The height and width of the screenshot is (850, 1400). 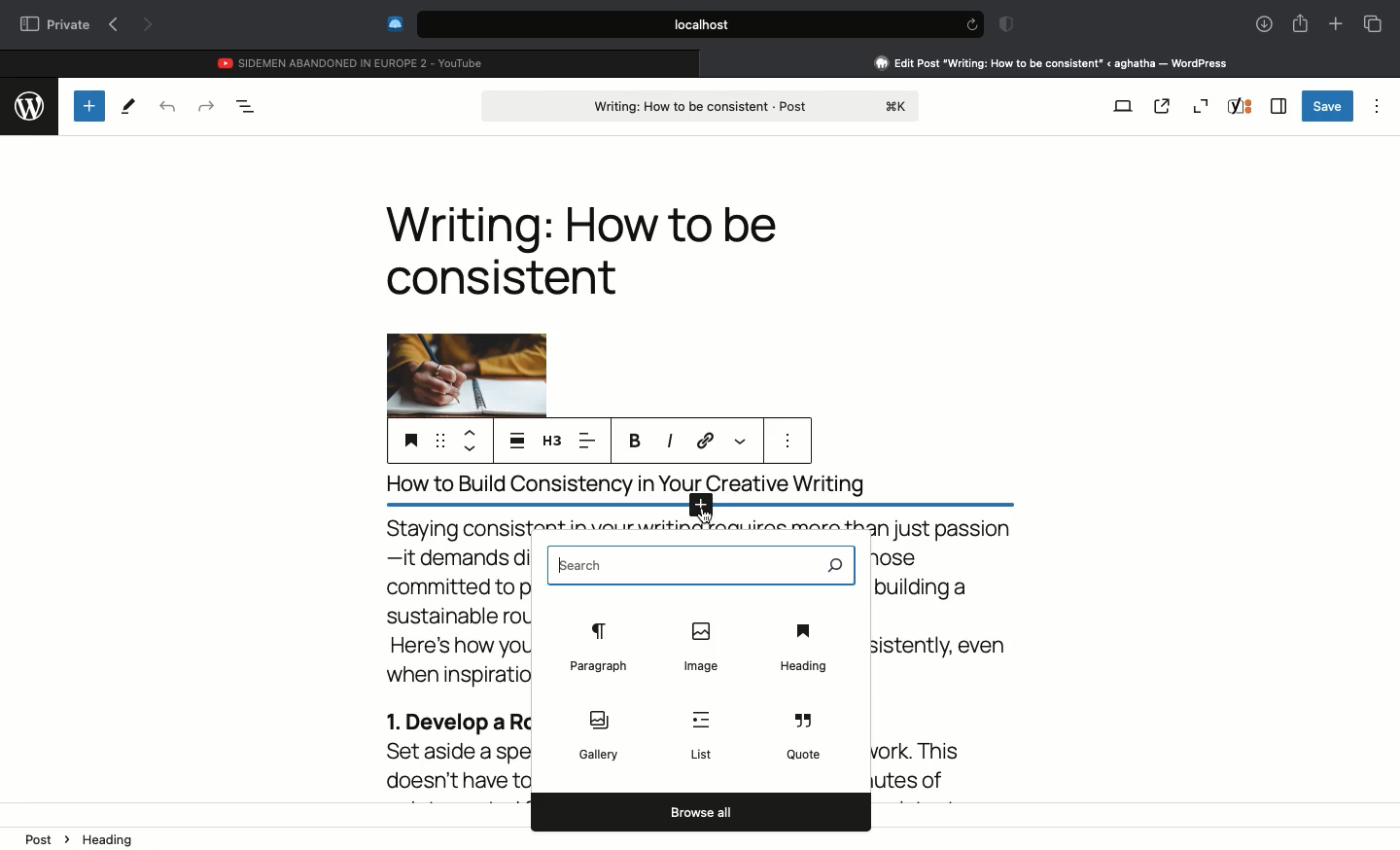 I want to click on View, so click(x=1124, y=104).